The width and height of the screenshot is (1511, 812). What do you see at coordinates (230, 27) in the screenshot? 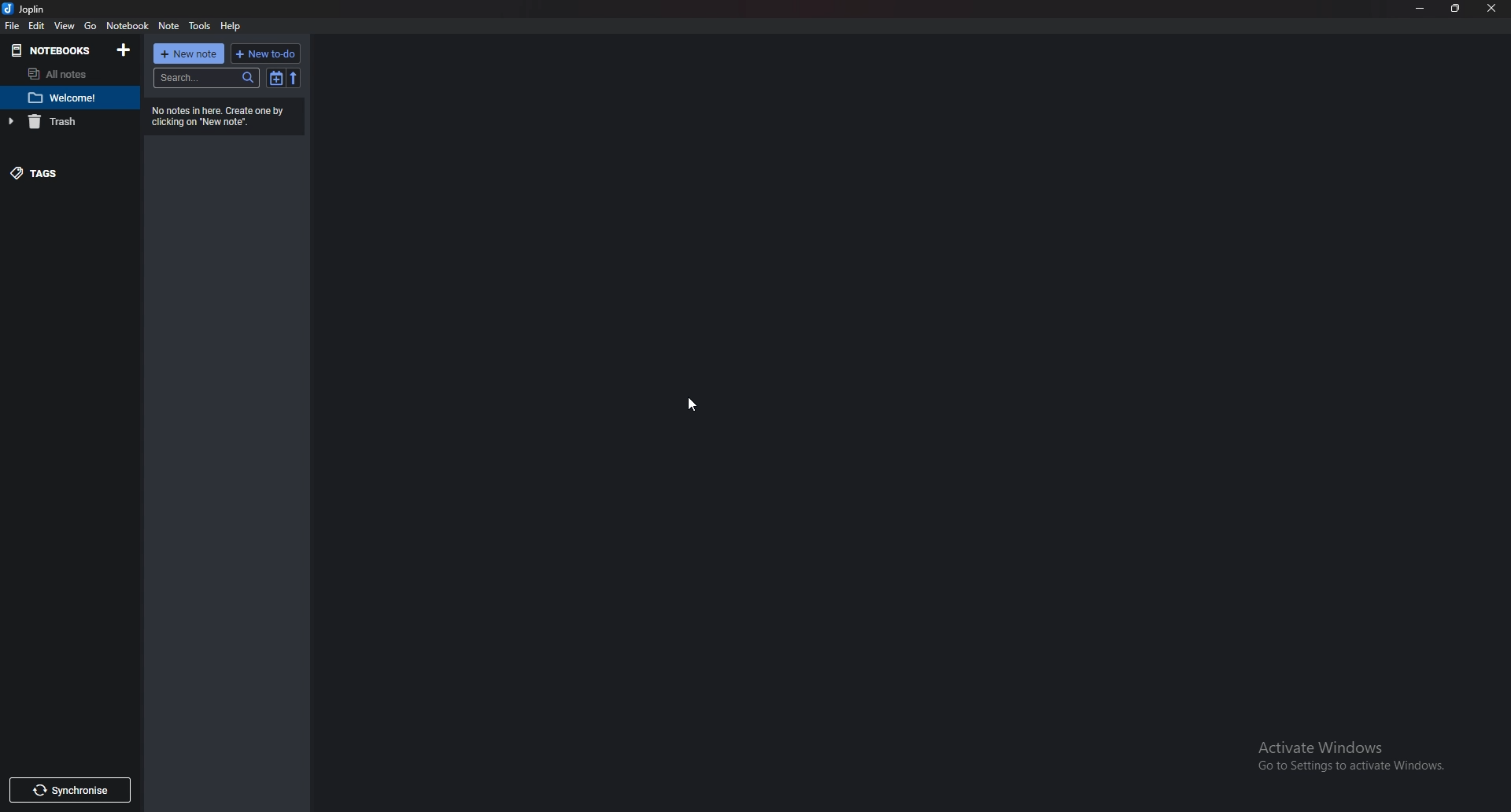
I see `help` at bounding box center [230, 27].